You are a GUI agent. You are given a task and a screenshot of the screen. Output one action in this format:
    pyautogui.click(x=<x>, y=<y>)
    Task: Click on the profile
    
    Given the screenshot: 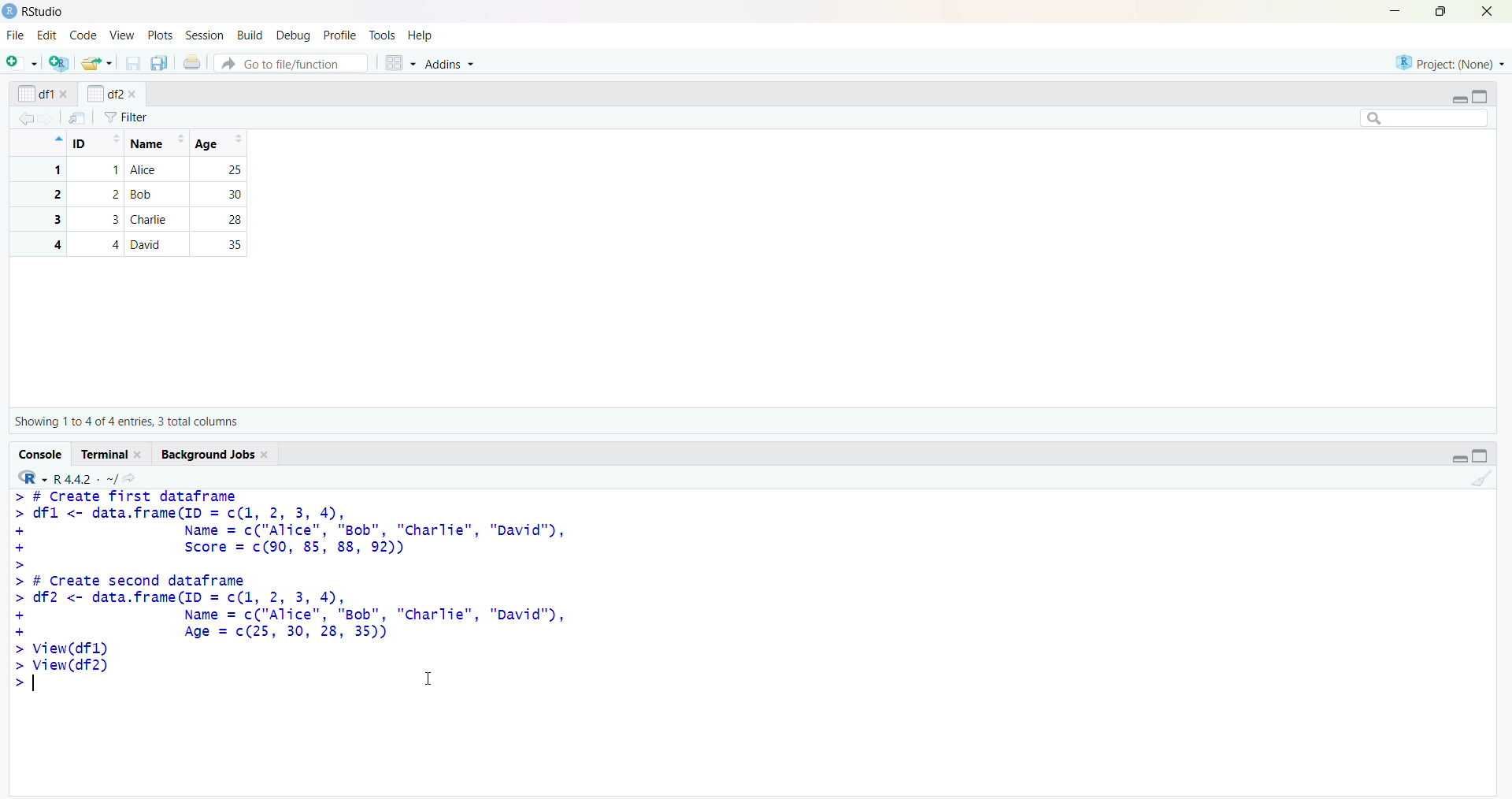 What is the action you would take?
    pyautogui.click(x=339, y=35)
    